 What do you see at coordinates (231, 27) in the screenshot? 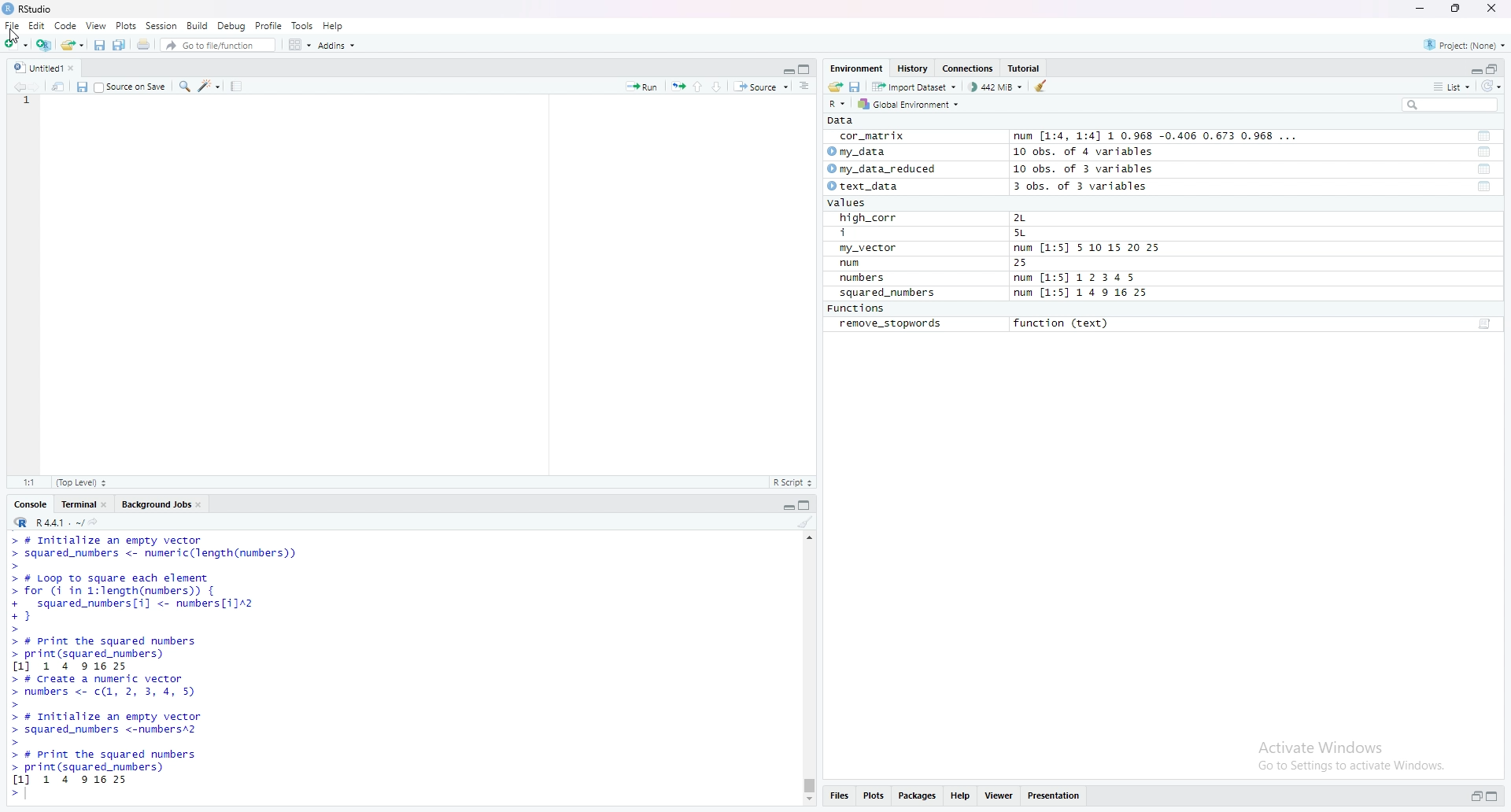
I see `Debug` at bounding box center [231, 27].